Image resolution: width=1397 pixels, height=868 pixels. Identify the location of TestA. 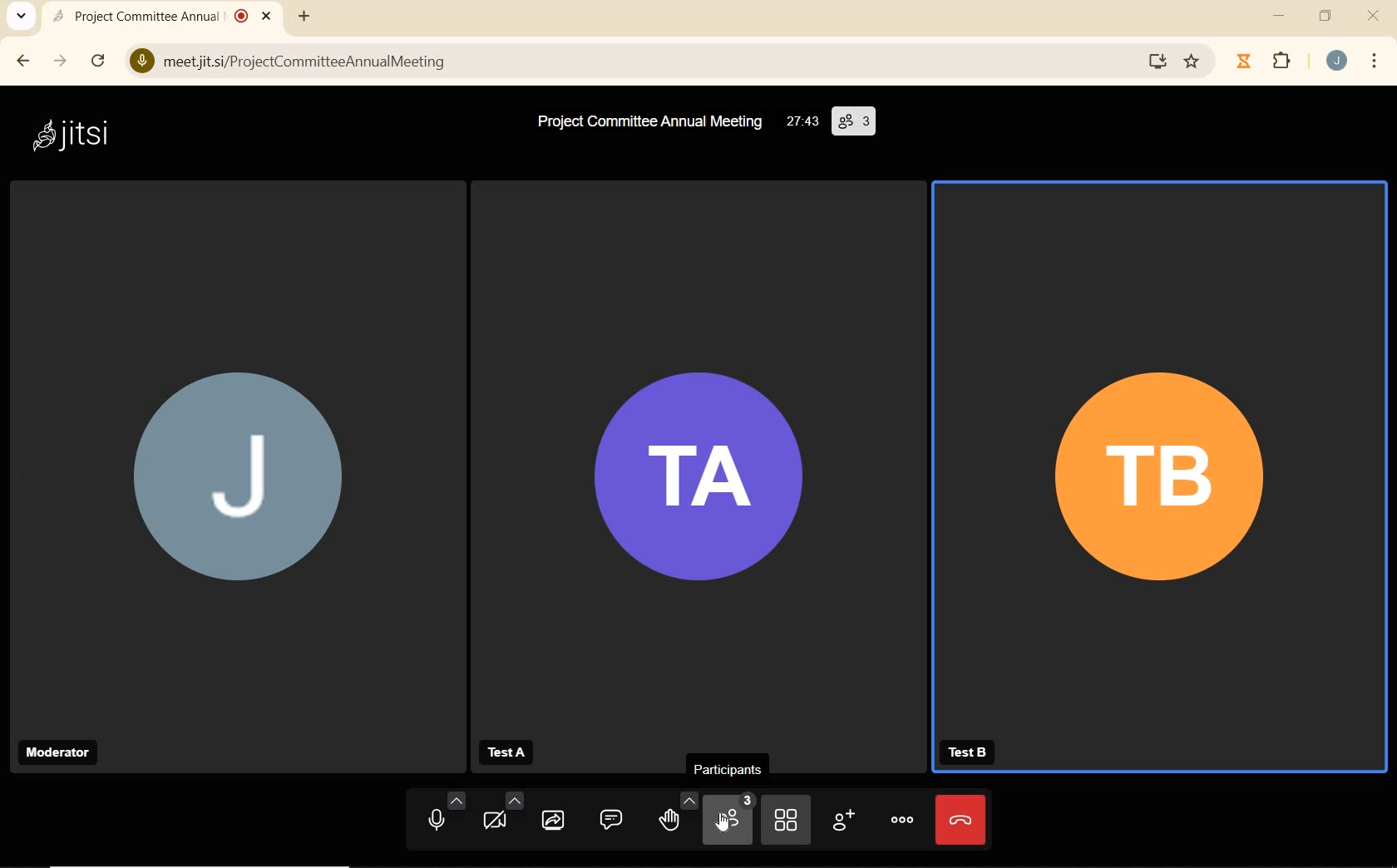
(506, 753).